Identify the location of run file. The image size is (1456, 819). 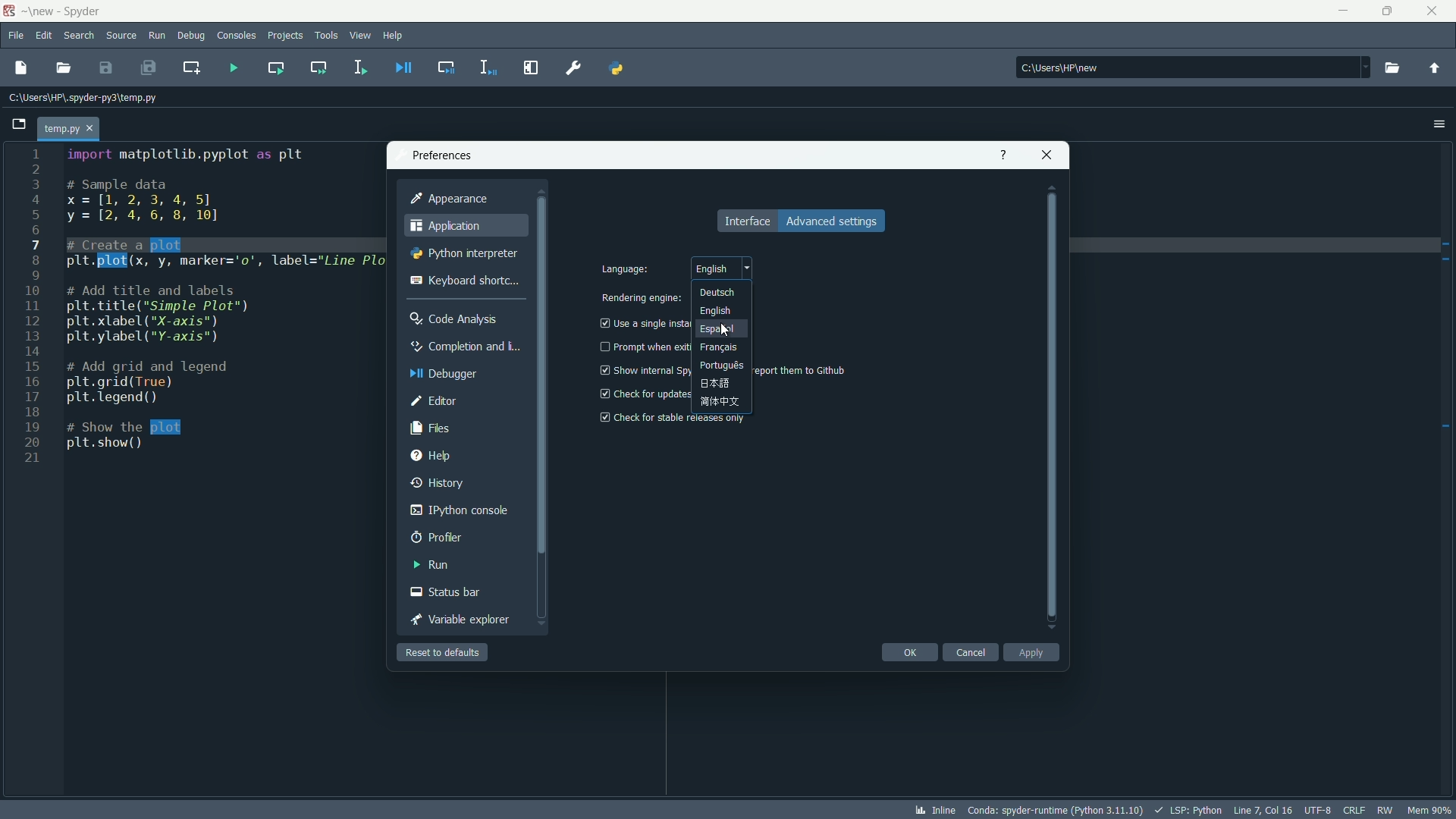
(234, 67).